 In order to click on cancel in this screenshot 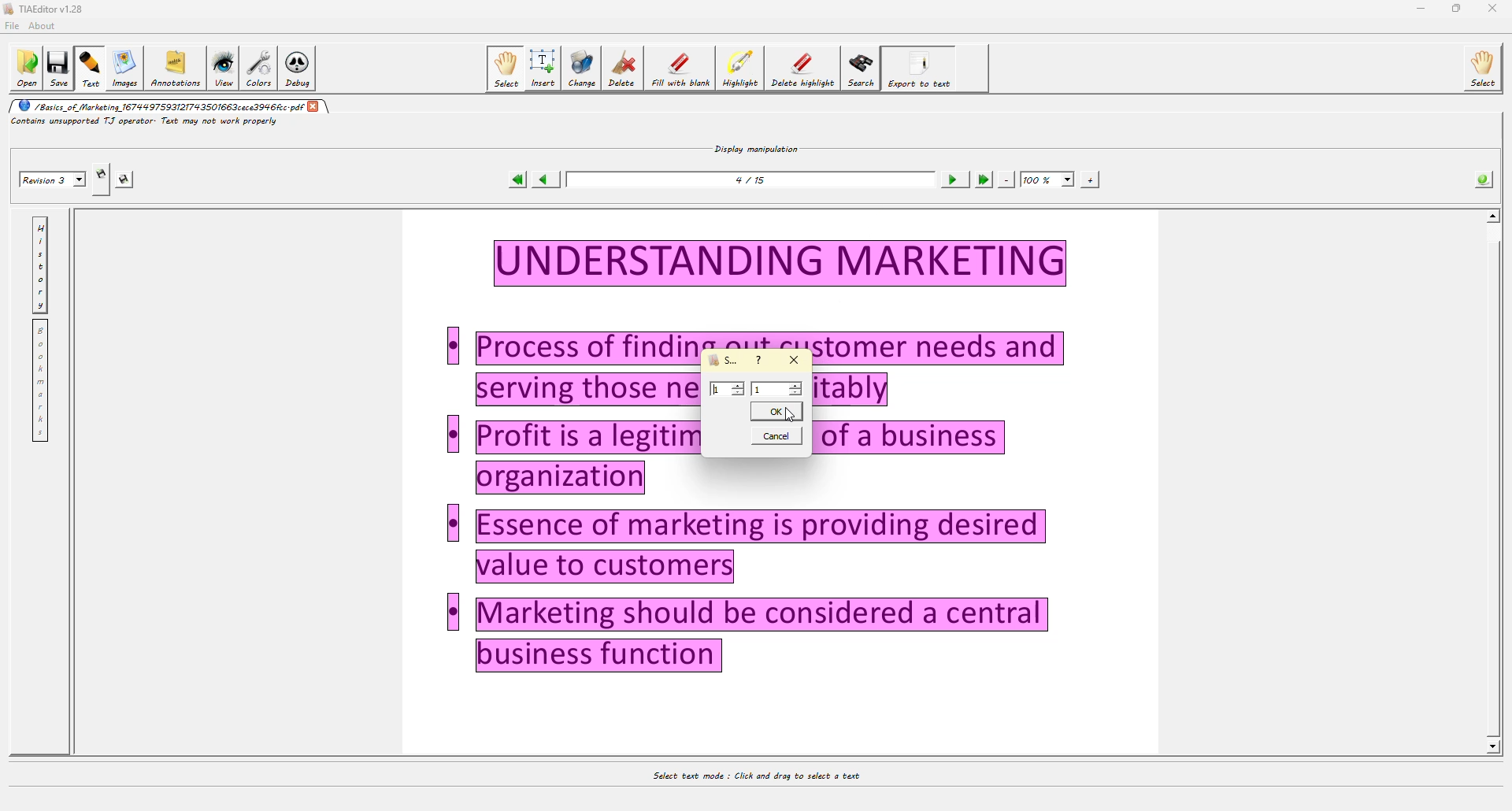, I will do `click(777, 435)`.